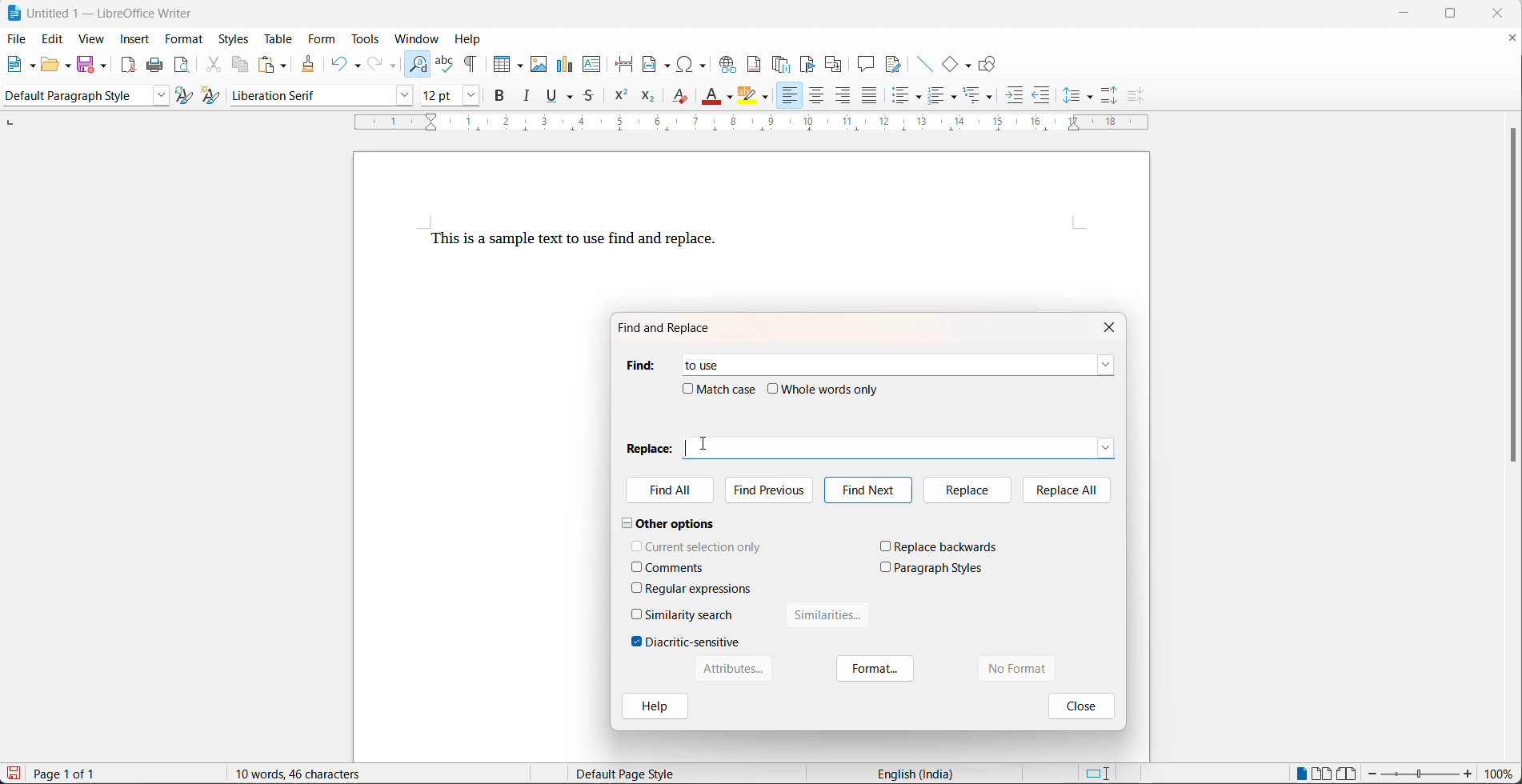 Image resolution: width=1522 pixels, height=784 pixels. What do you see at coordinates (965, 490) in the screenshot?
I see `replace` at bounding box center [965, 490].